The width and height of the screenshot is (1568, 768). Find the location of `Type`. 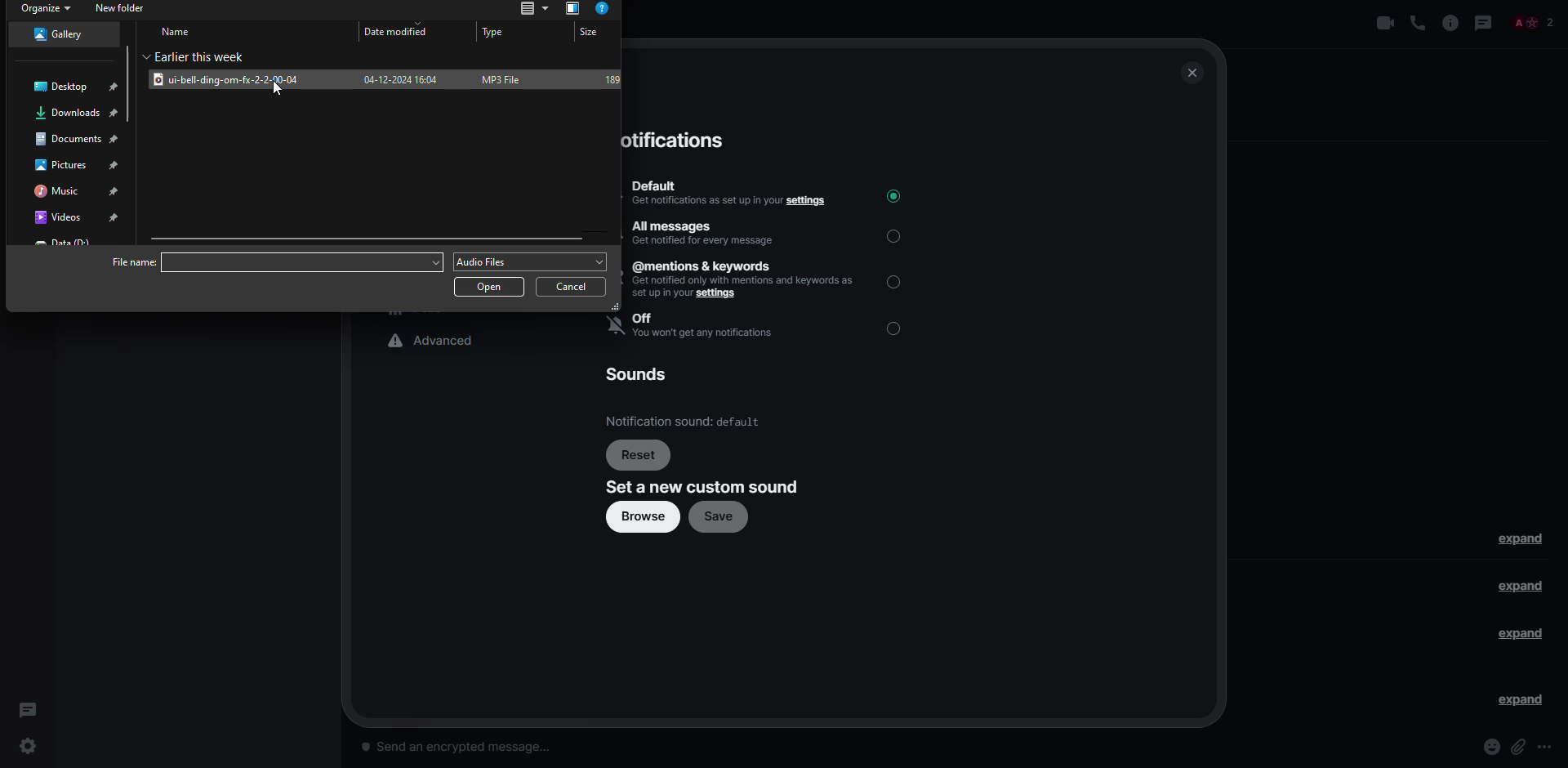

Type is located at coordinates (498, 33).